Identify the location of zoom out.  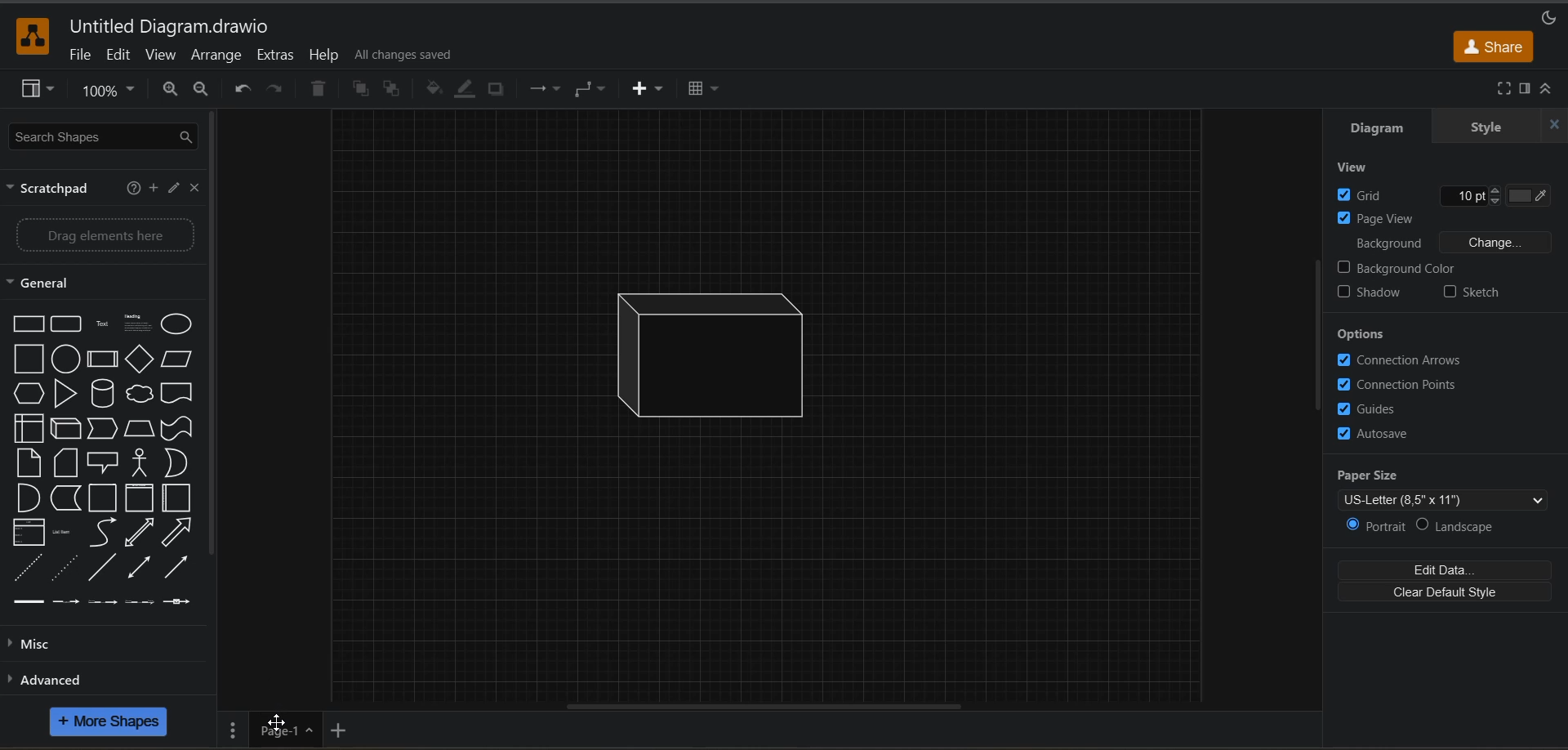
(203, 92).